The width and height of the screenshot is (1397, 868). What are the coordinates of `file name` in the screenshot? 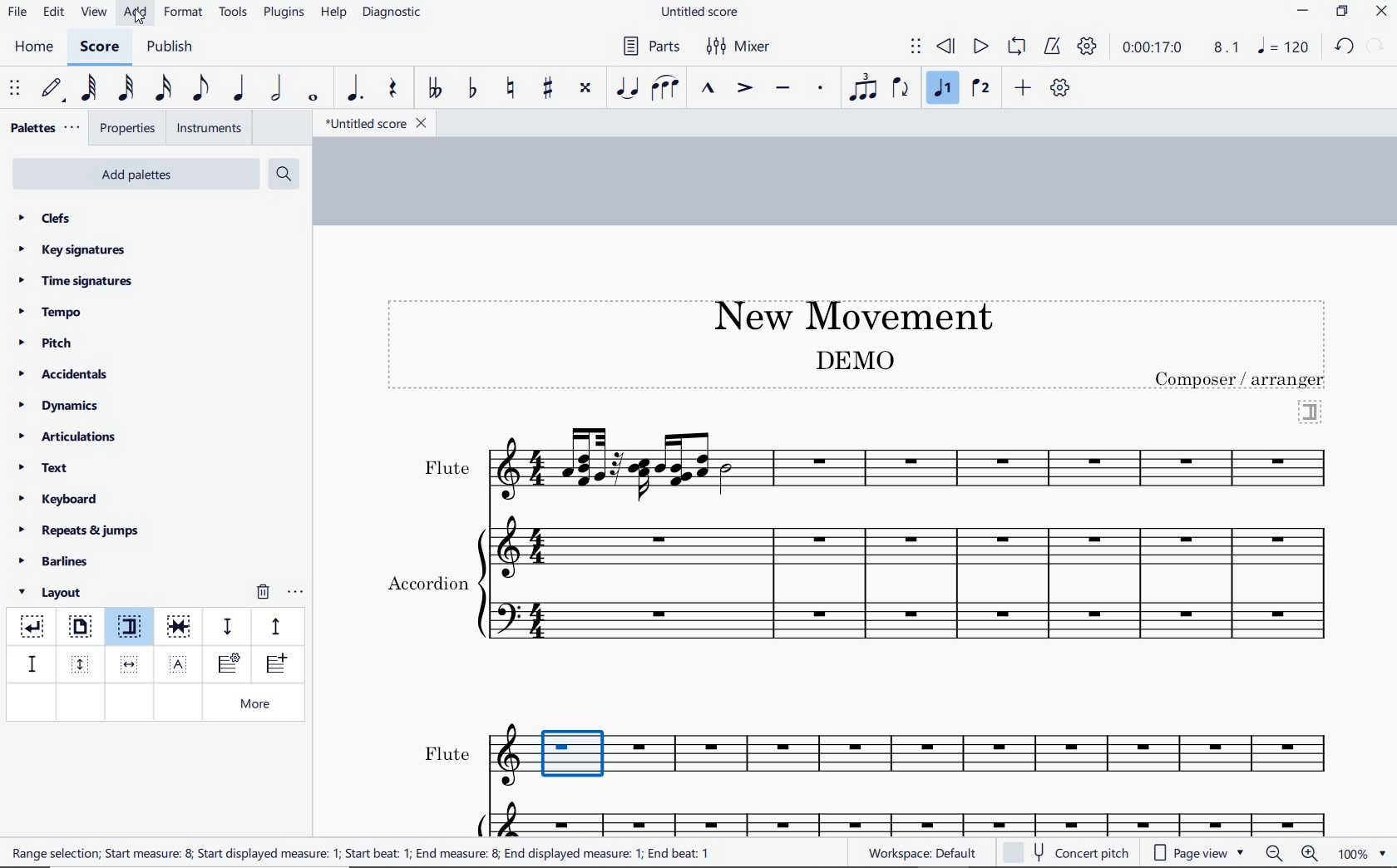 It's located at (702, 12).